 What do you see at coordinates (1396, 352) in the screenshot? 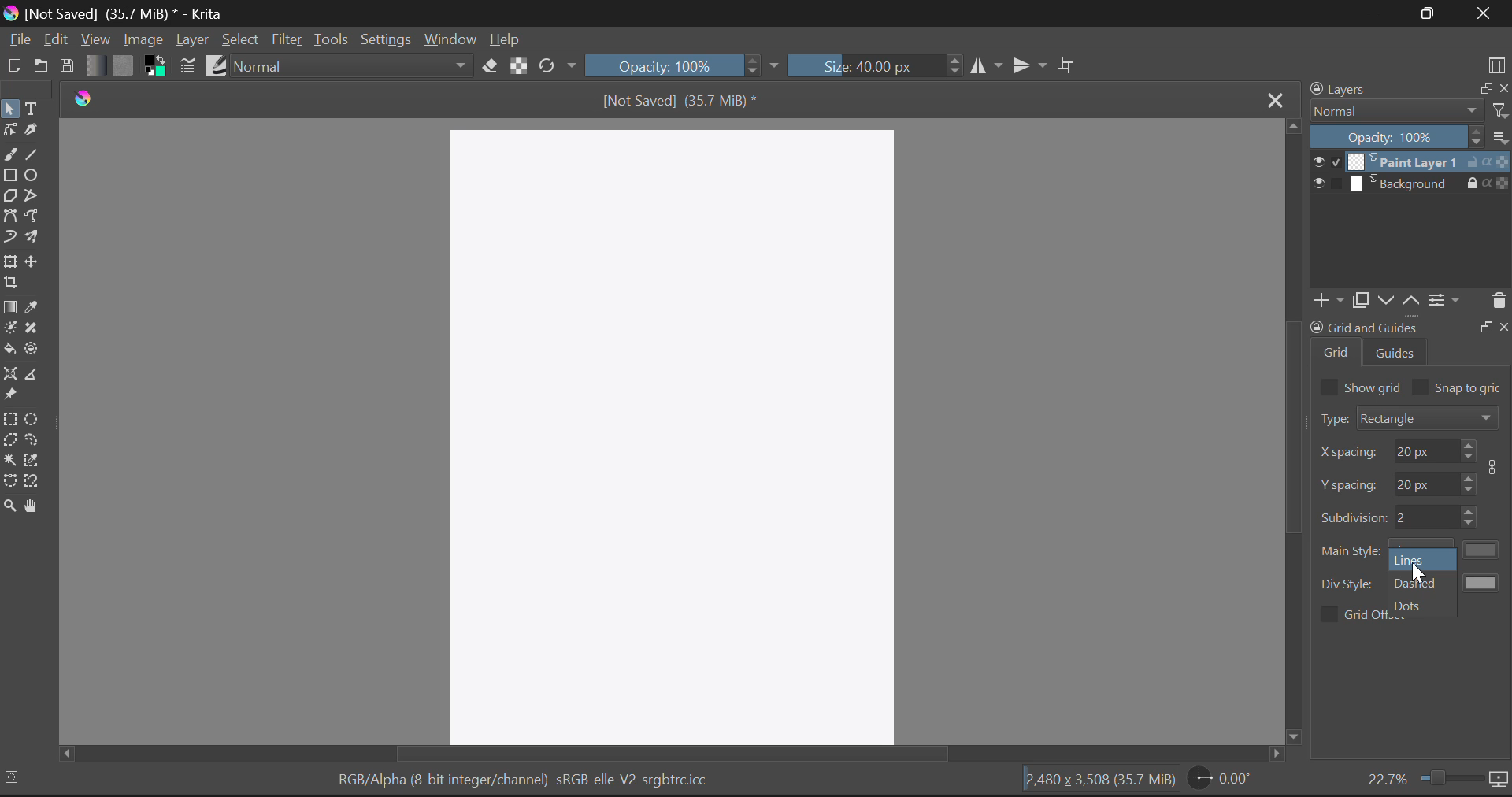
I see `guides` at bounding box center [1396, 352].